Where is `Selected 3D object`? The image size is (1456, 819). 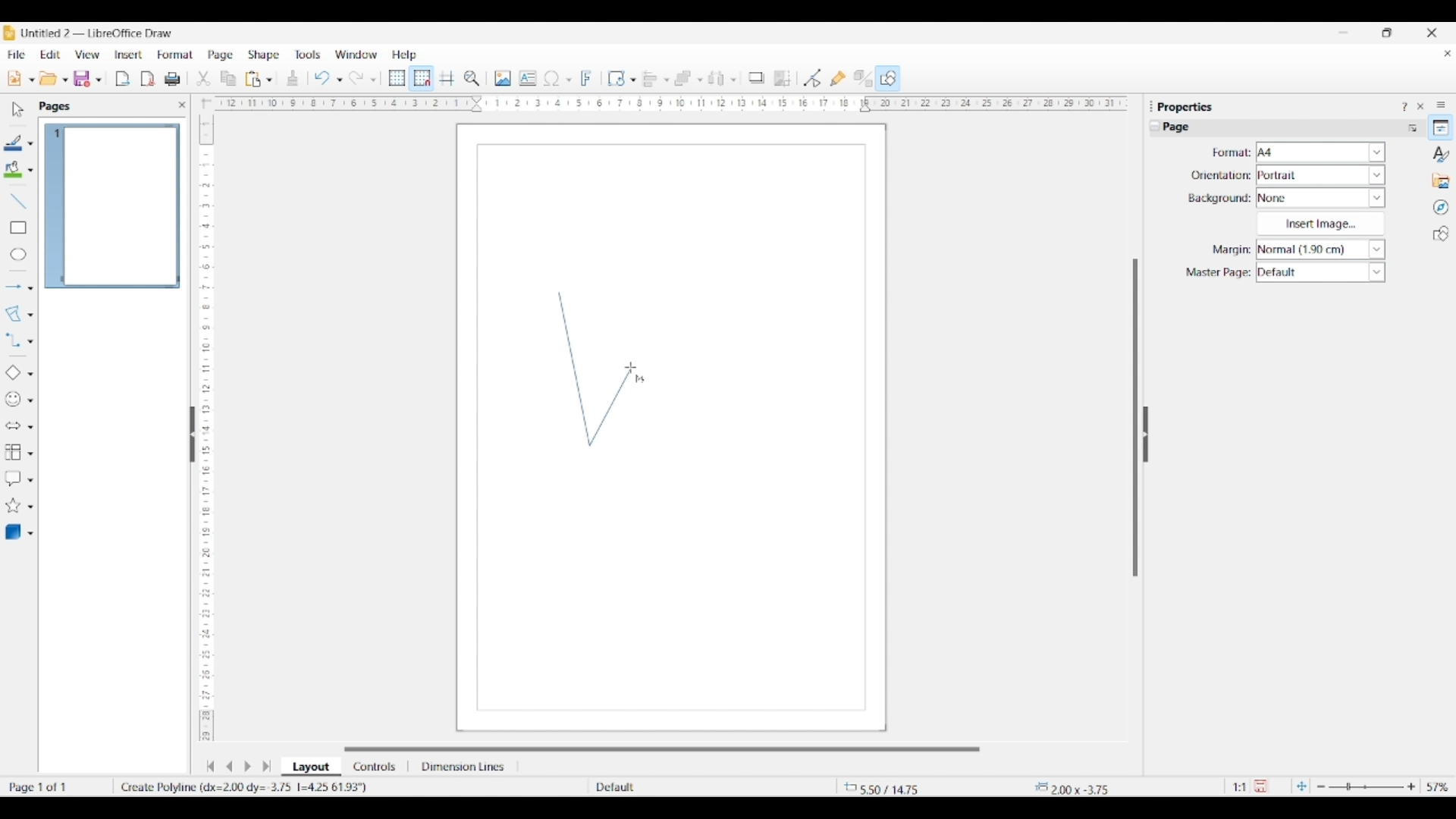 Selected 3D object is located at coordinates (13, 532).